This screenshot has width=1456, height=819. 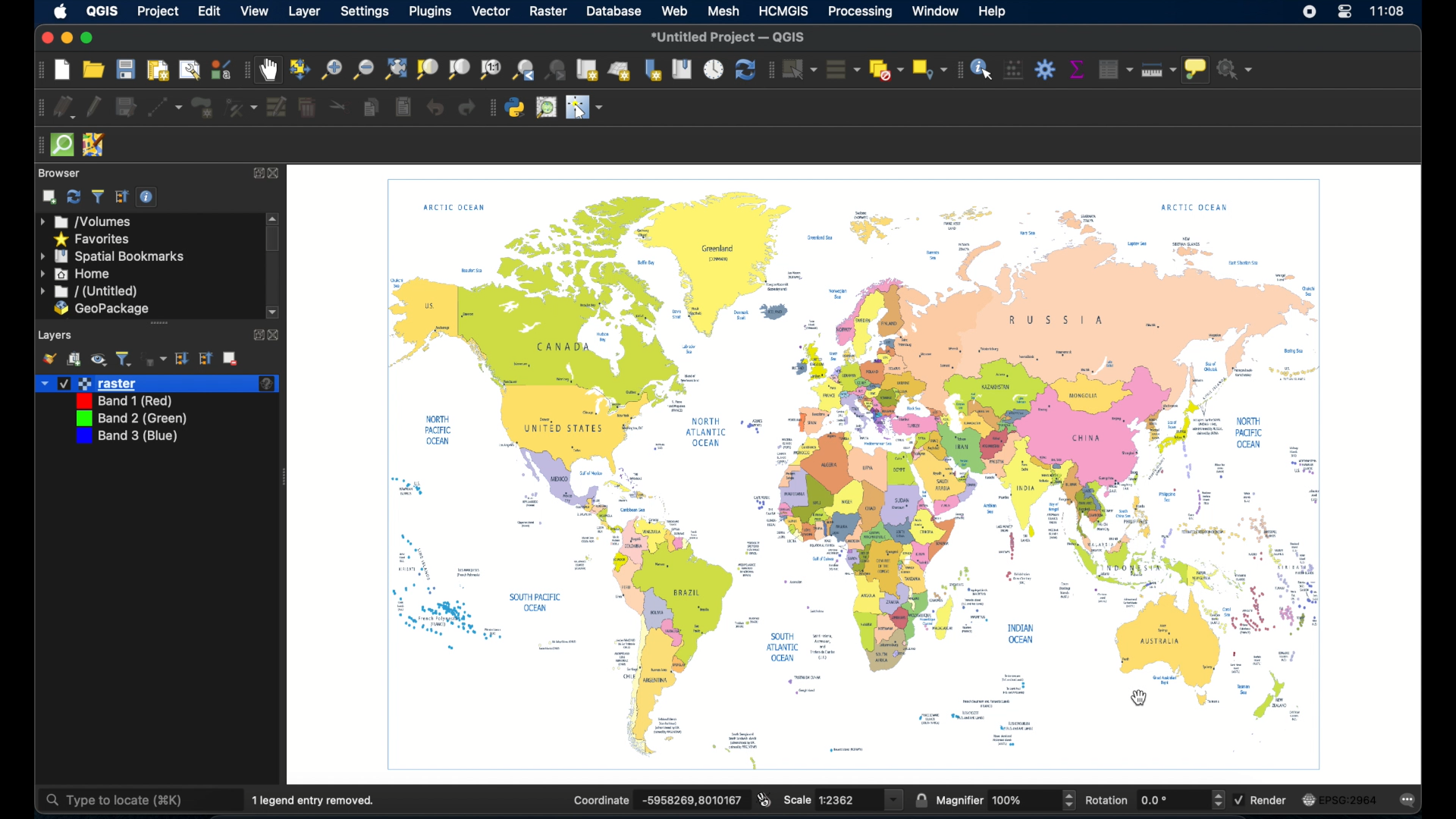 I want to click on zoom in, so click(x=331, y=69).